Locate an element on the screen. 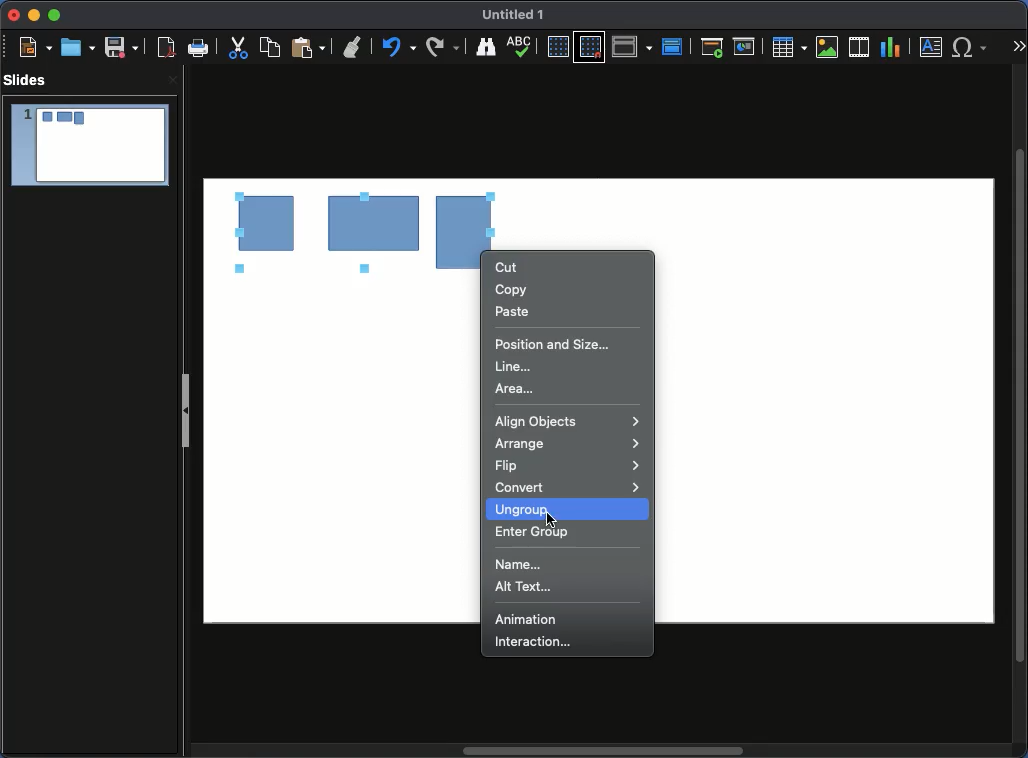 Image resolution: width=1028 pixels, height=758 pixels. Start from current slide is located at coordinates (745, 48).